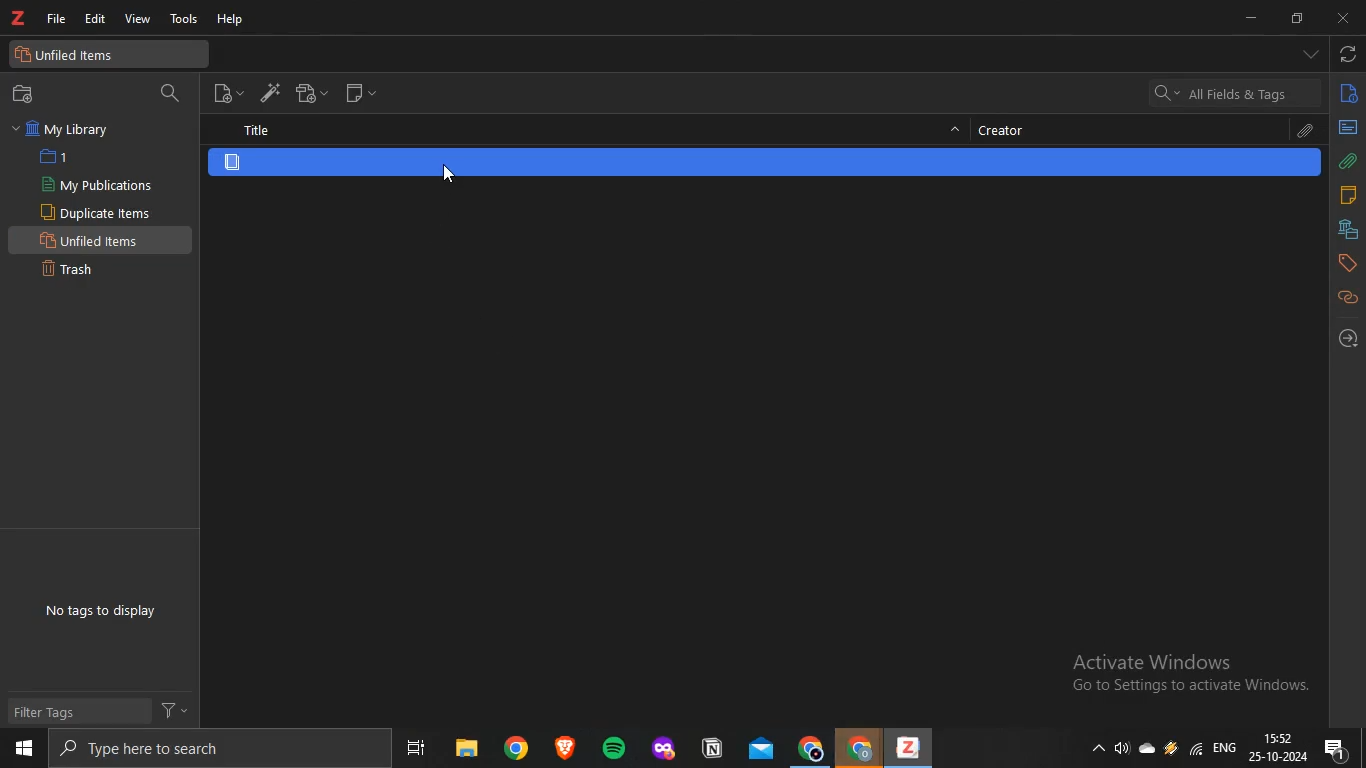 The width and height of the screenshot is (1366, 768). Describe the element at coordinates (1234, 92) in the screenshot. I see `search bar` at that location.